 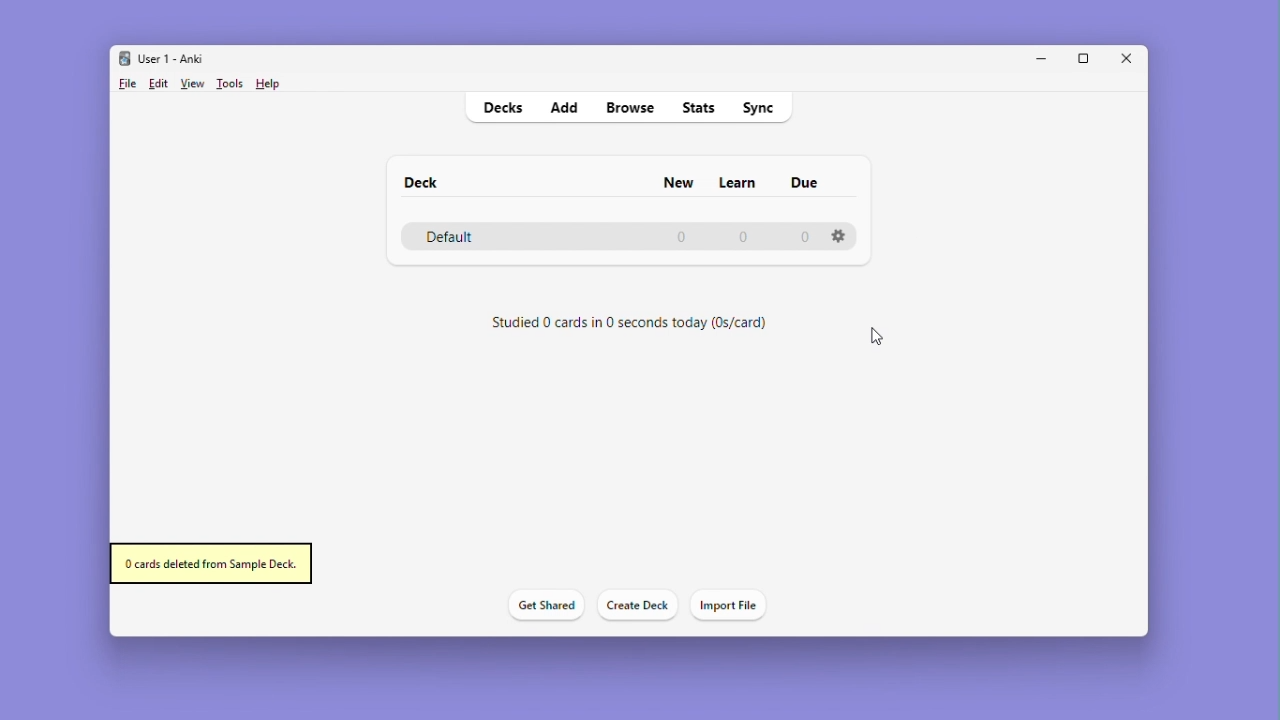 I want to click on Setting, so click(x=841, y=235).